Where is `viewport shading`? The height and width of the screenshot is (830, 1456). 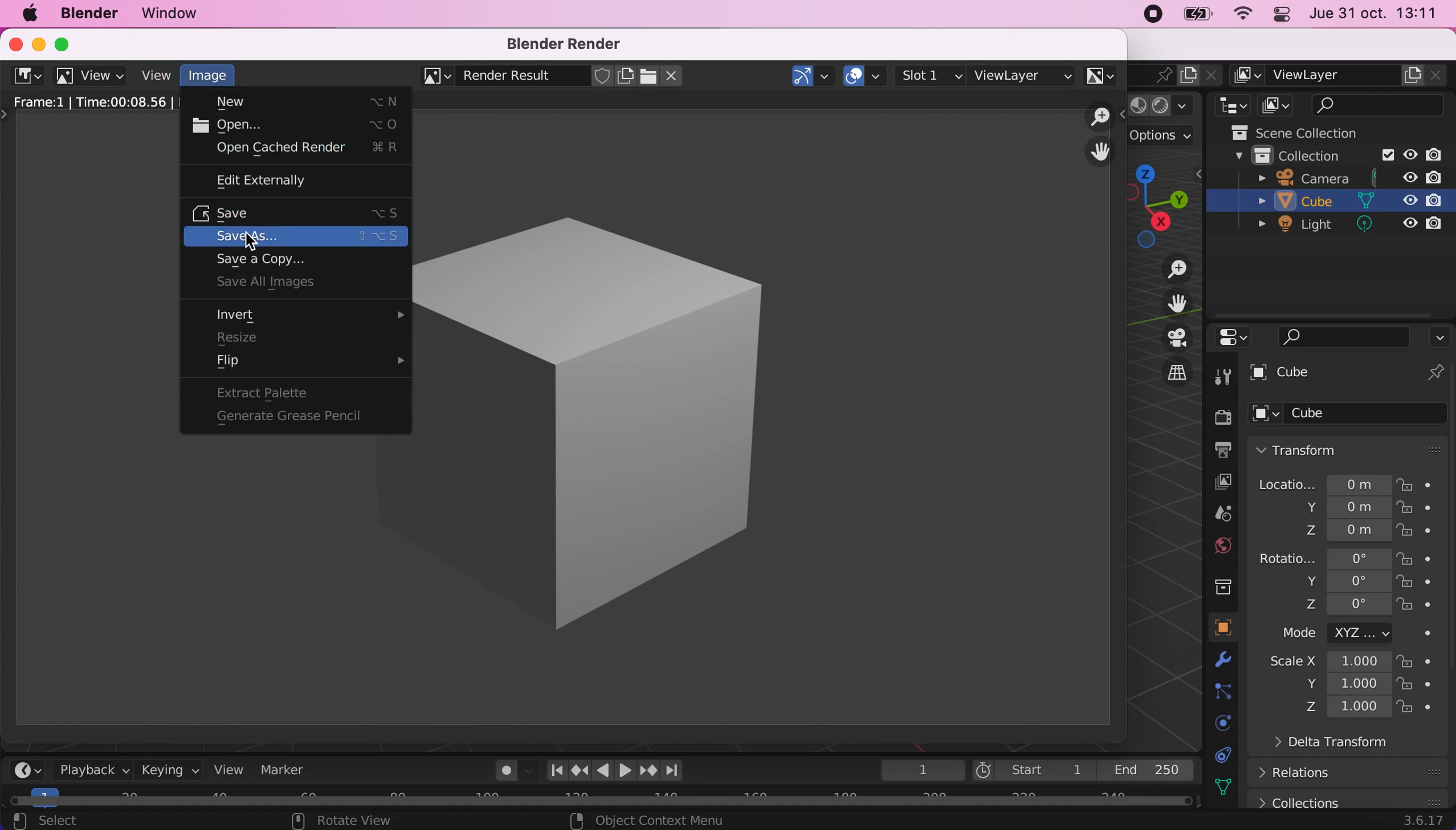
viewport shading is located at coordinates (1168, 106).